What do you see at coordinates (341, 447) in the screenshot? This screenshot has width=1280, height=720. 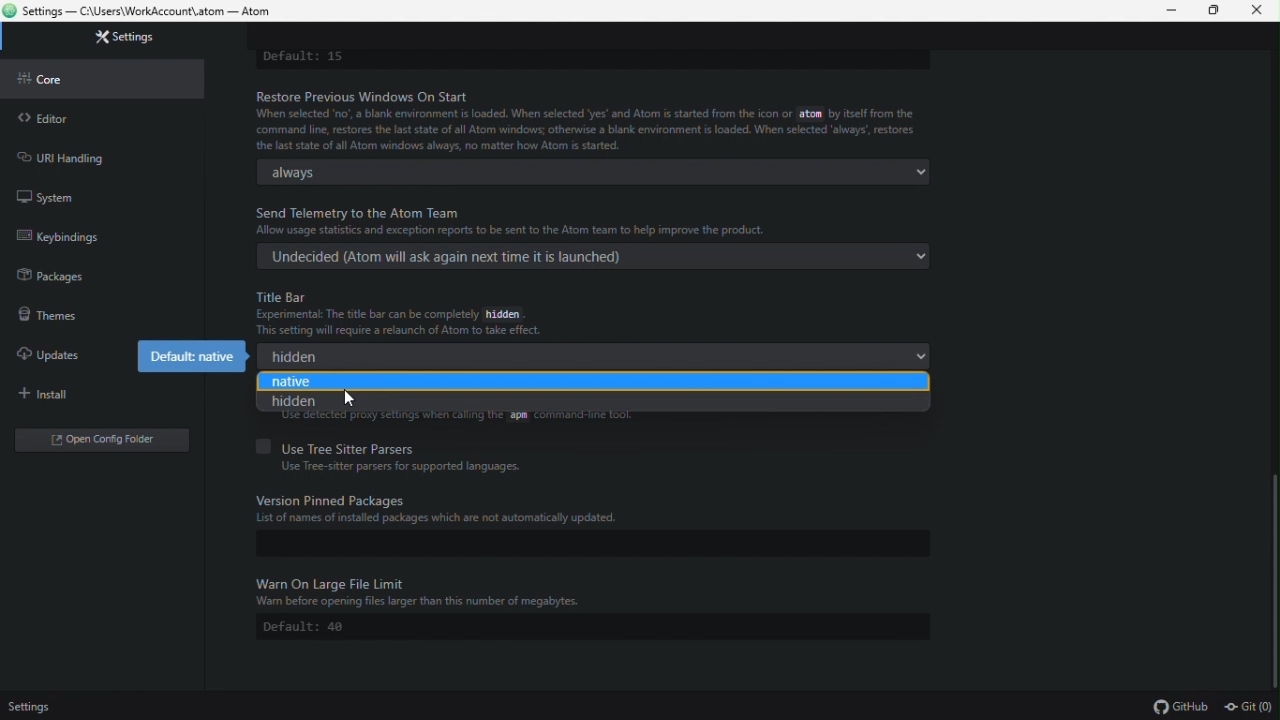 I see `Use Tree Sitter Parsers` at bounding box center [341, 447].